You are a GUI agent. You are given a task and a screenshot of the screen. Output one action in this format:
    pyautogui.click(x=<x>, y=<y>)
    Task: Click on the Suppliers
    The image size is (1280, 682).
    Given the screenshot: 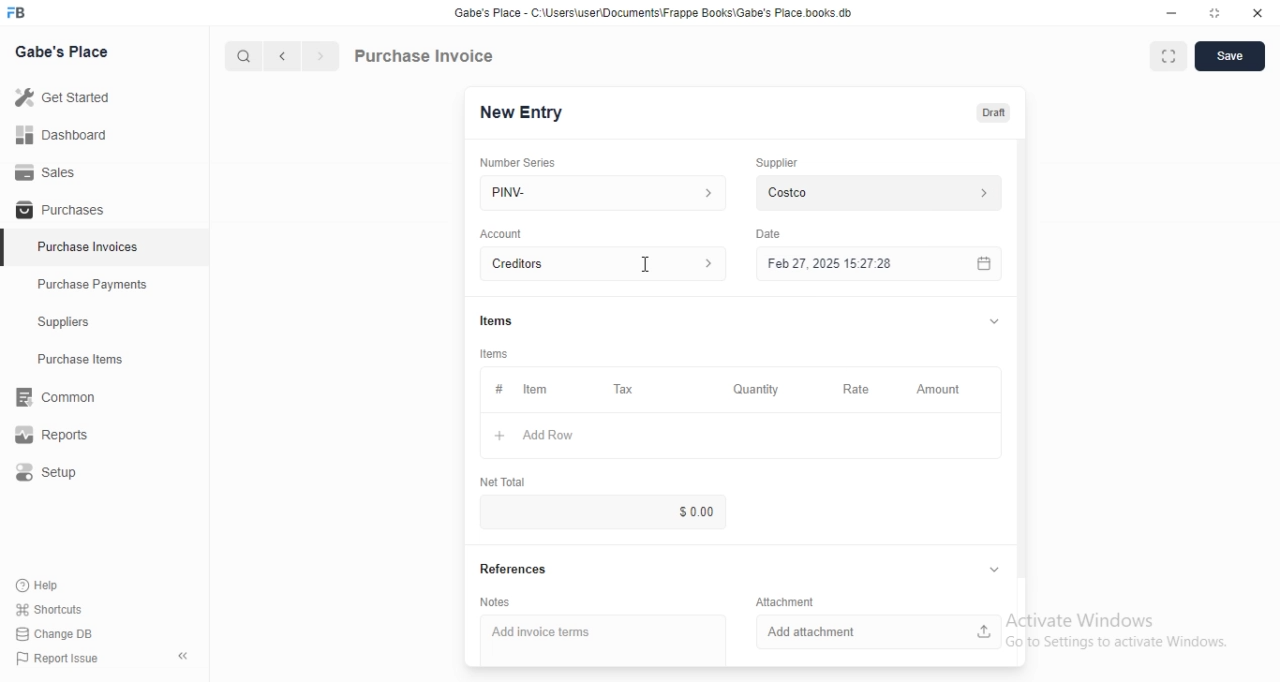 What is the action you would take?
    pyautogui.click(x=104, y=321)
    